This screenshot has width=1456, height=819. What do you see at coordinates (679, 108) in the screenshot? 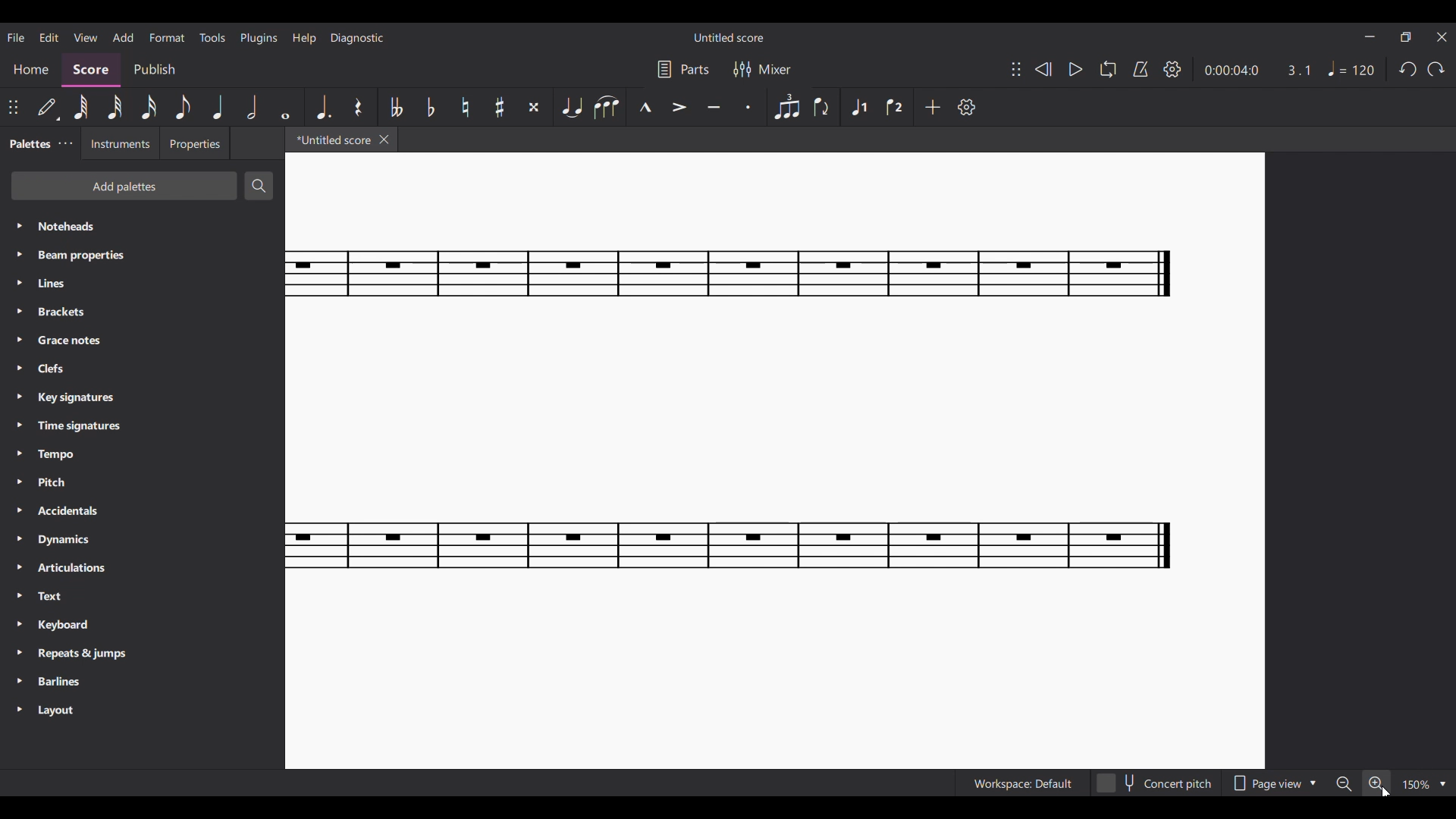
I see `Accent` at bounding box center [679, 108].